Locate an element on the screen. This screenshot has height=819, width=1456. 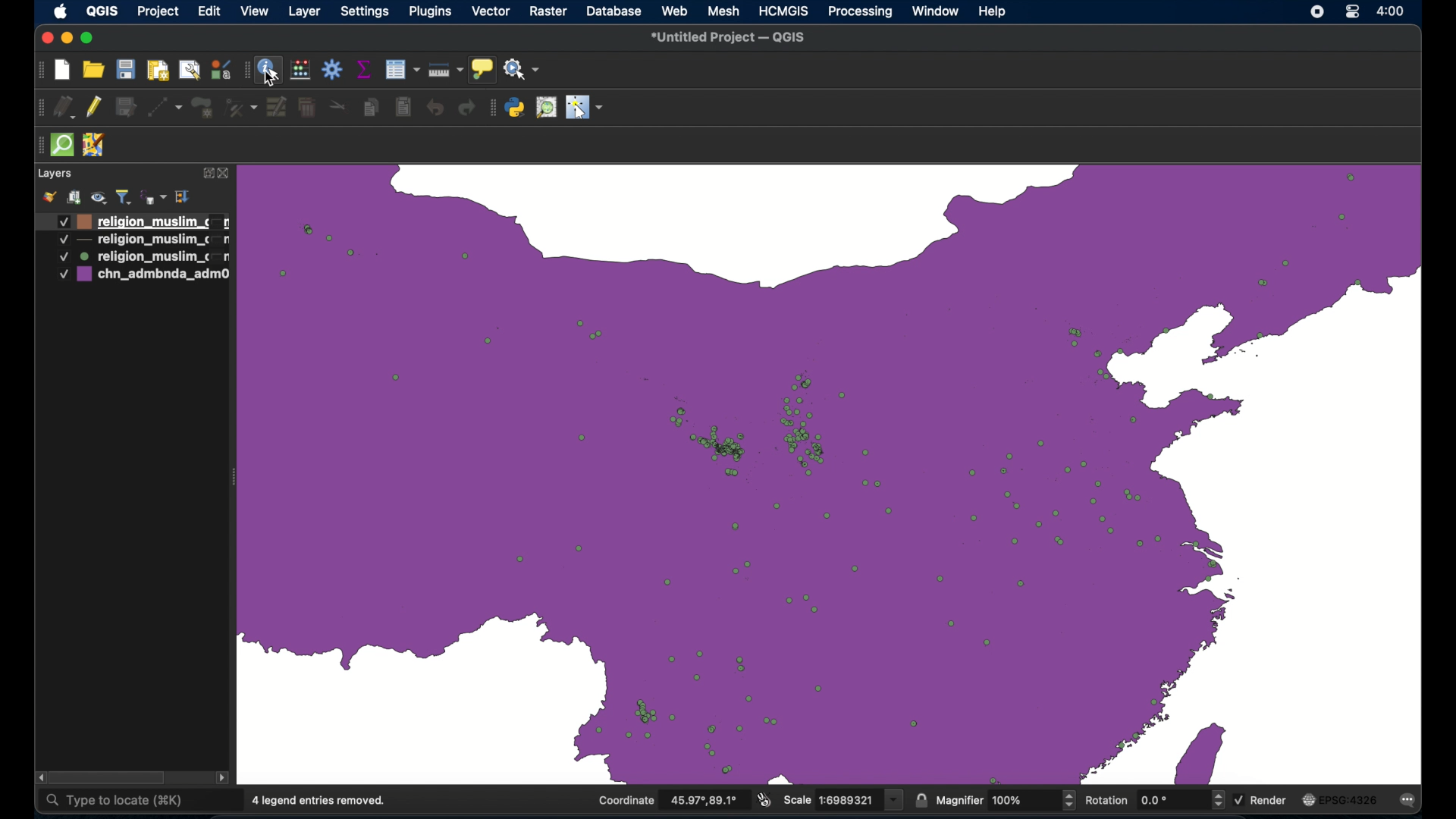
layers is located at coordinates (55, 172).